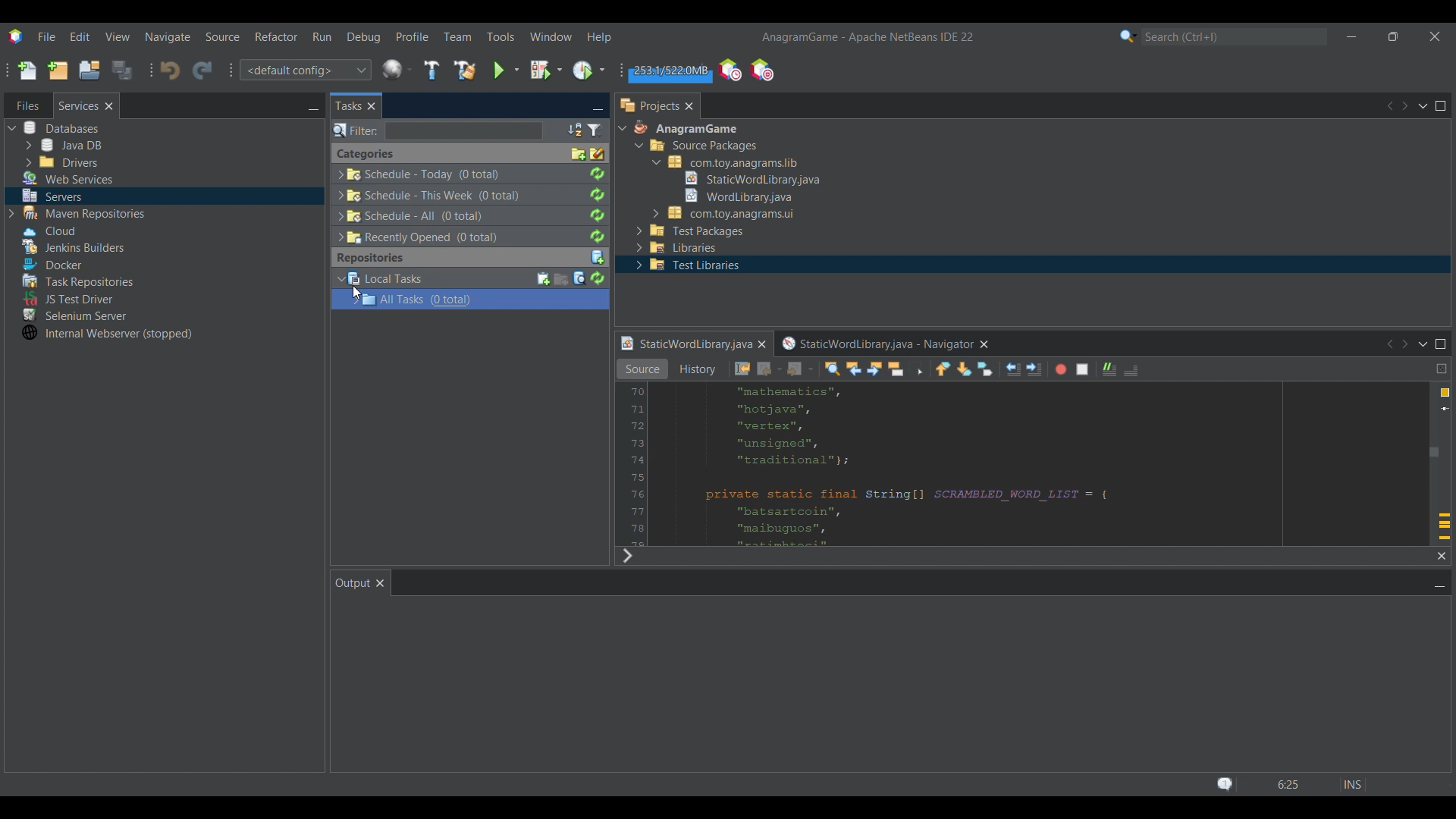  Describe the element at coordinates (655, 105) in the screenshot. I see `` at that location.